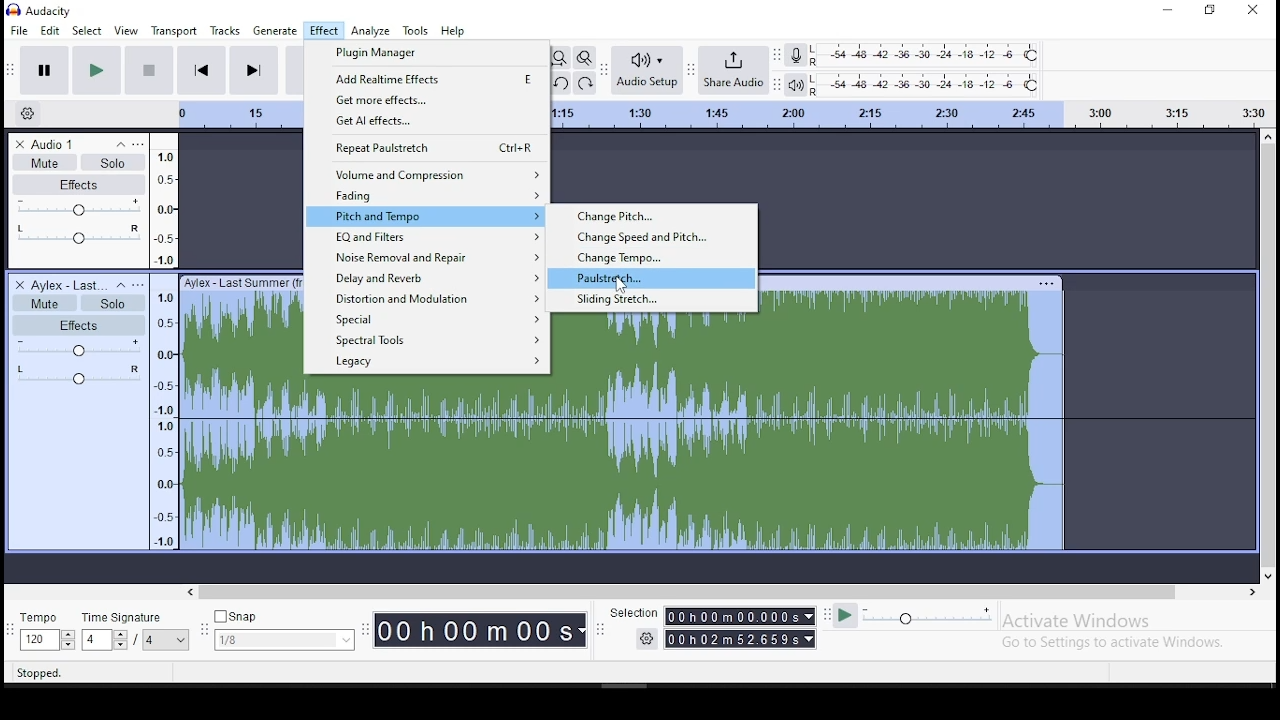 Image resolution: width=1280 pixels, height=720 pixels. I want to click on fit project to width, so click(563, 58).